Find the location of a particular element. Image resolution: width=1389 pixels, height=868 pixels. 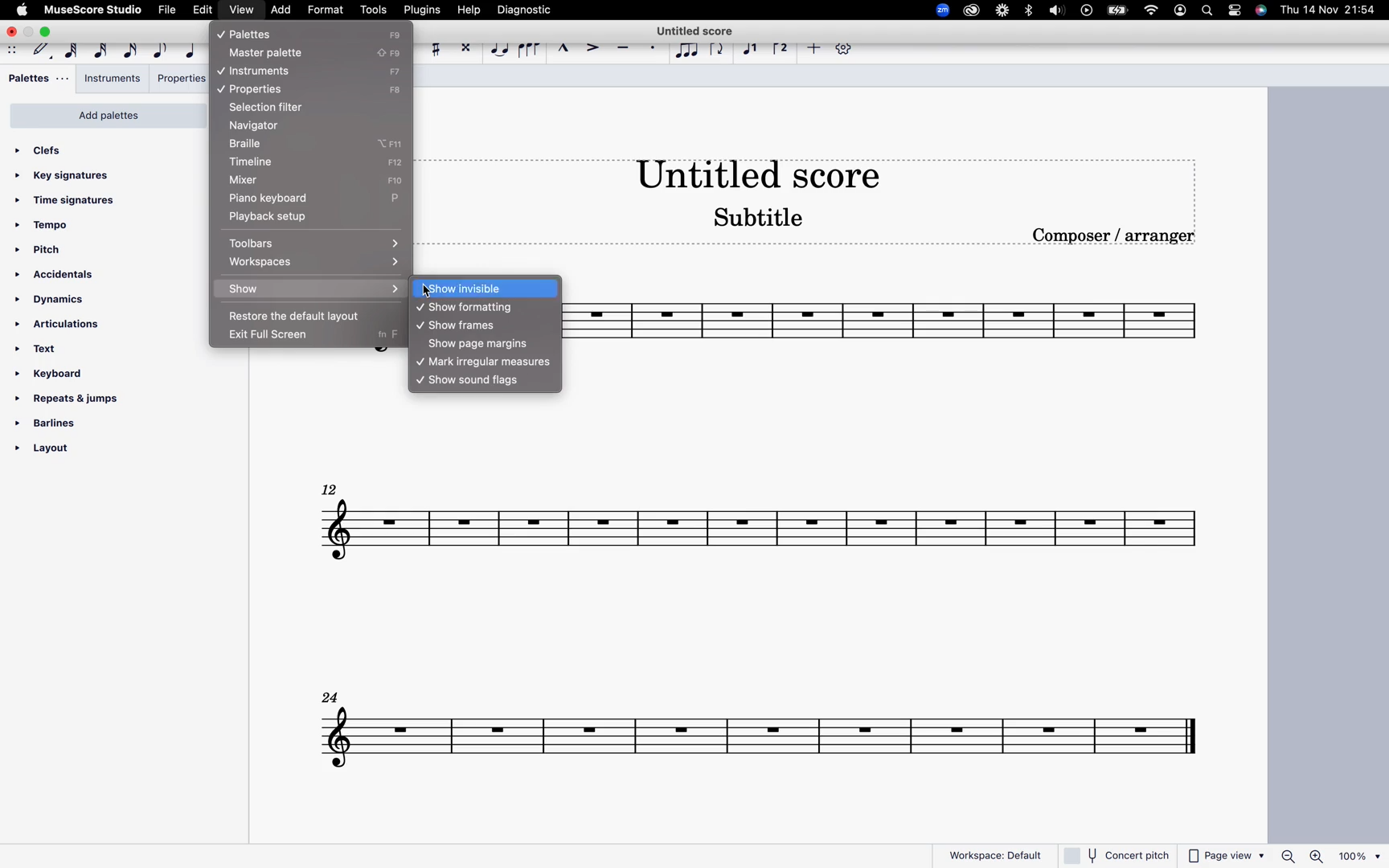

settings is located at coordinates (842, 51).